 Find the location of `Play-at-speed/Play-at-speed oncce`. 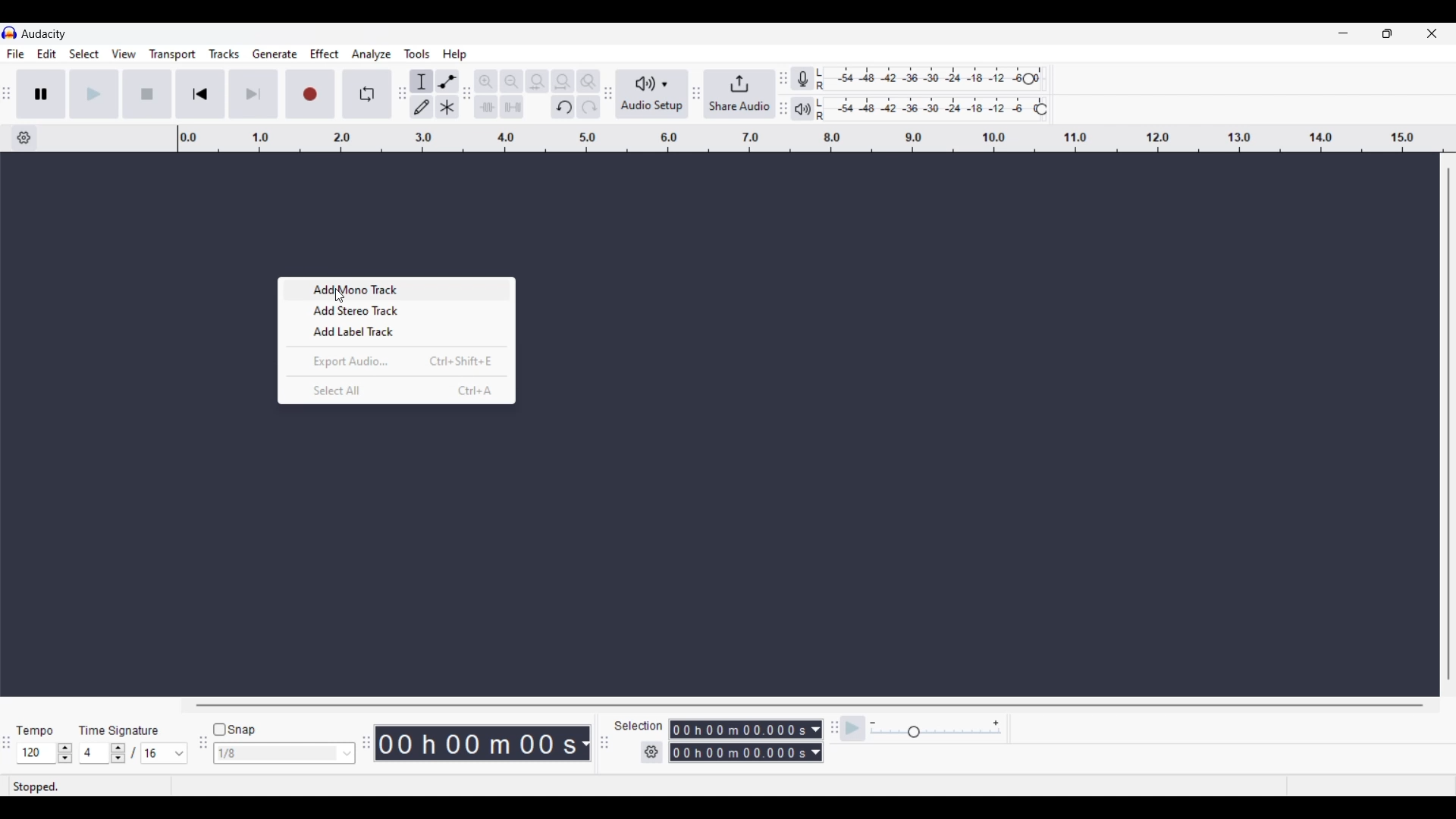

Play-at-speed/Play-at-speed oncce is located at coordinates (853, 729).